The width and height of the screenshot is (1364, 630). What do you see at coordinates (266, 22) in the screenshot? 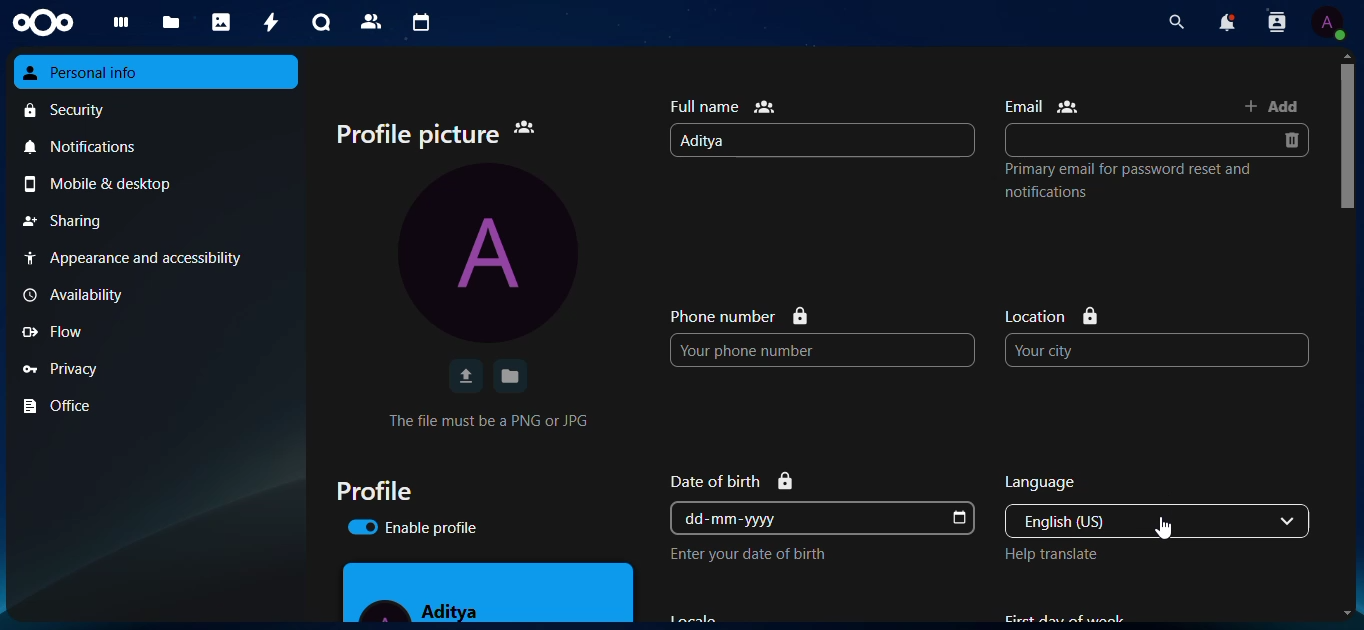
I see `activity` at bounding box center [266, 22].